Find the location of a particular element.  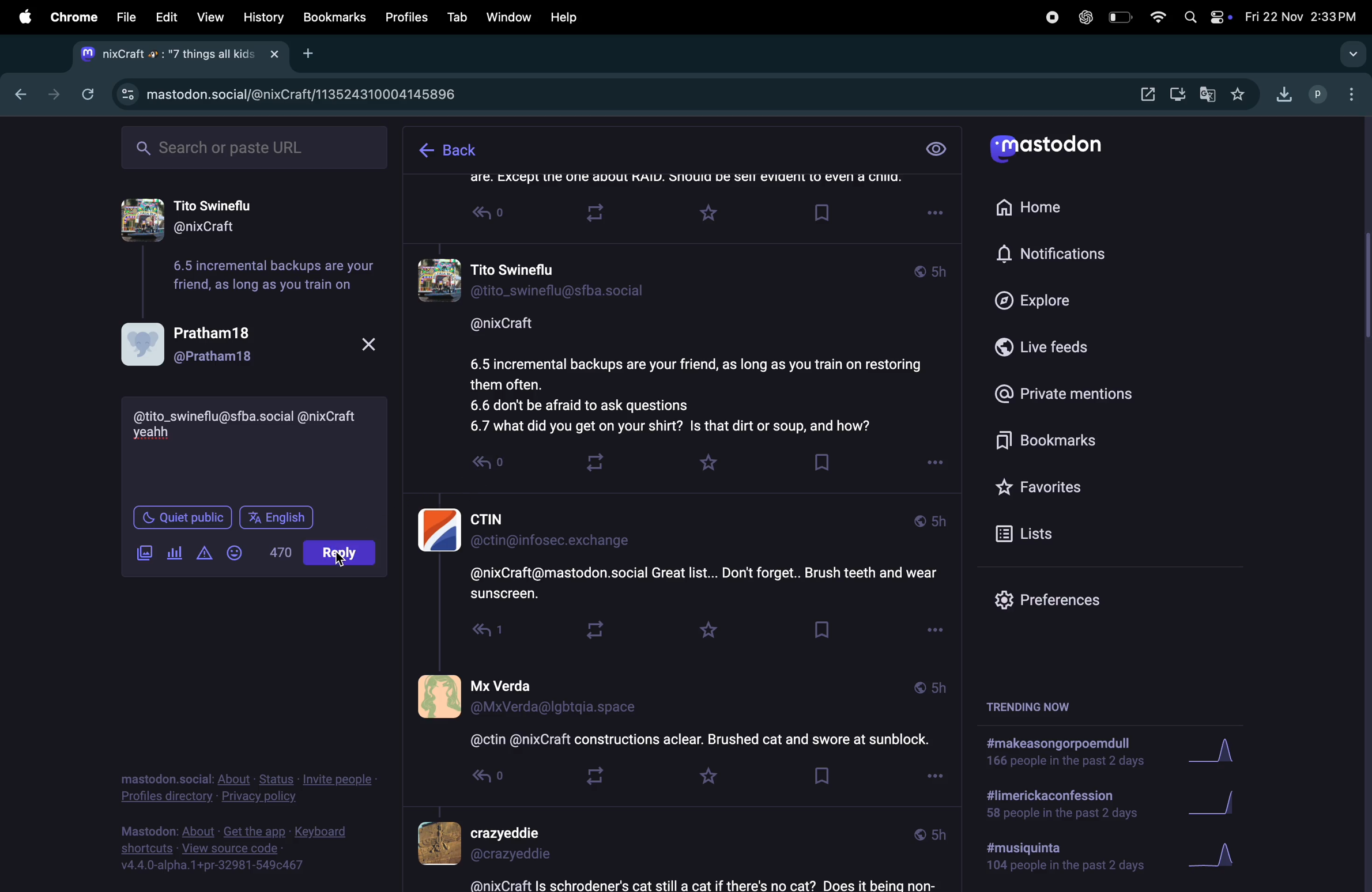

Favourite is located at coordinates (703, 629).